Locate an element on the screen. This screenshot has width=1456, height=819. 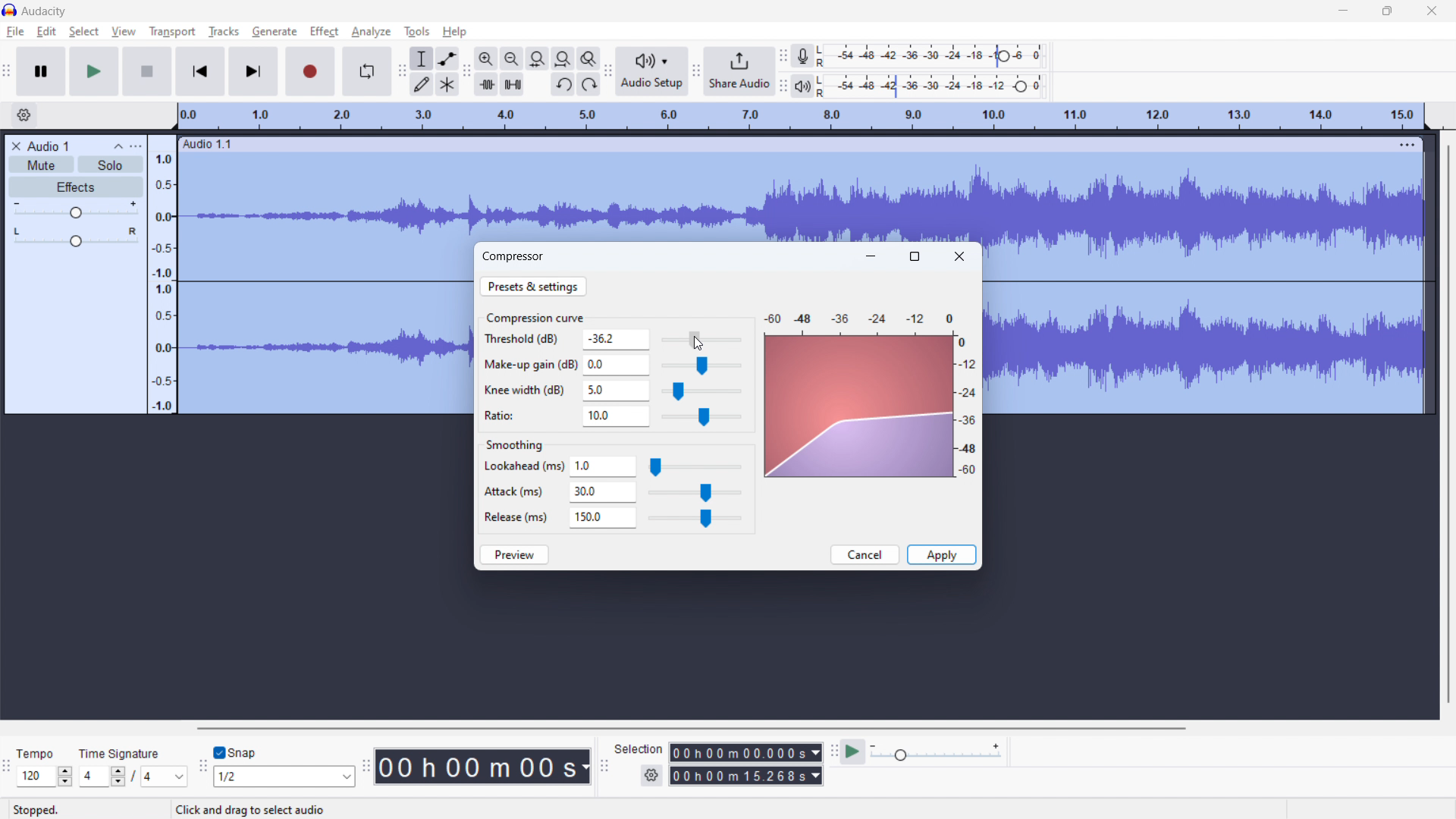
record is located at coordinates (311, 71).